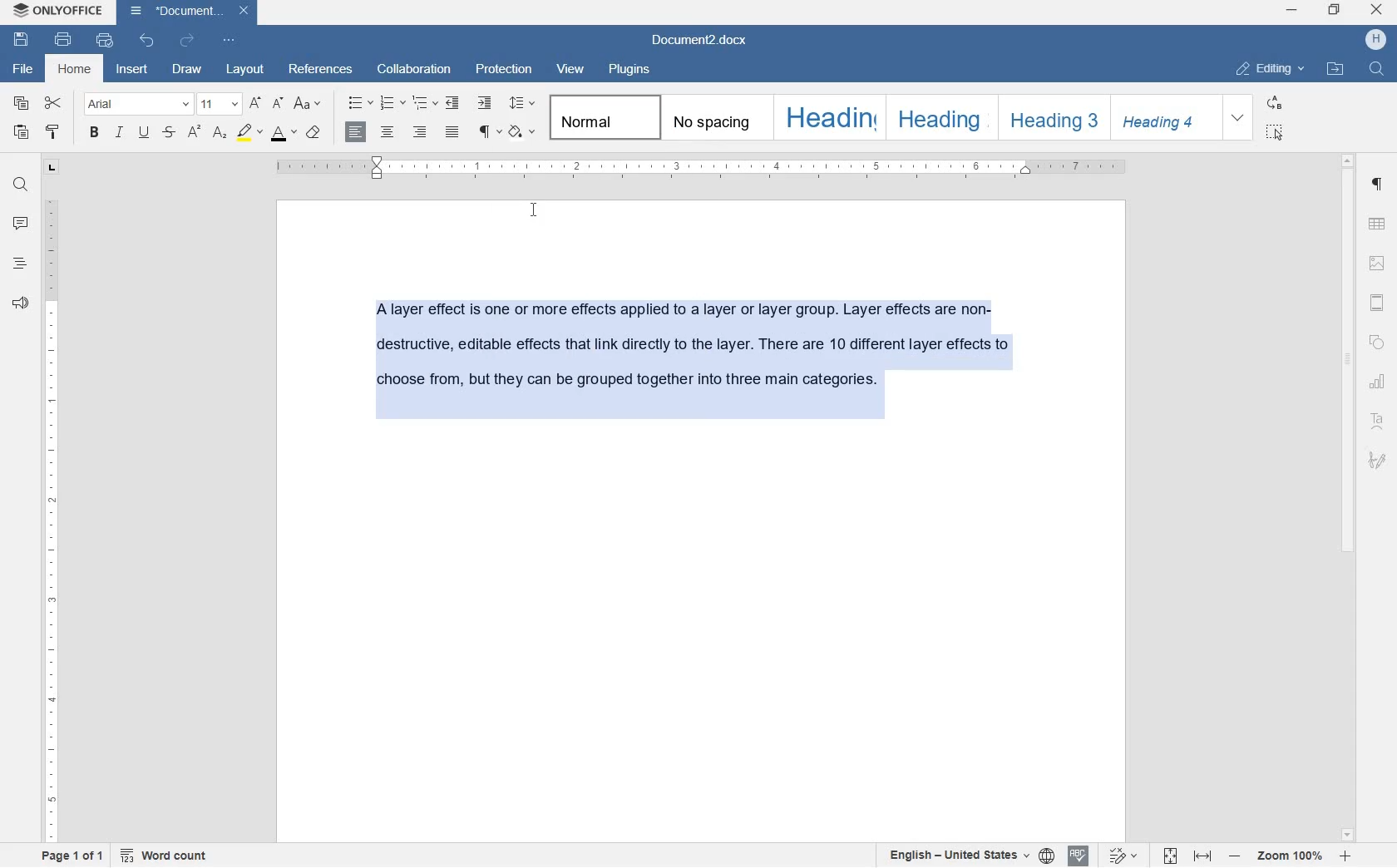 The width and height of the screenshot is (1397, 868). I want to click on minimize, so click(1291, 11).